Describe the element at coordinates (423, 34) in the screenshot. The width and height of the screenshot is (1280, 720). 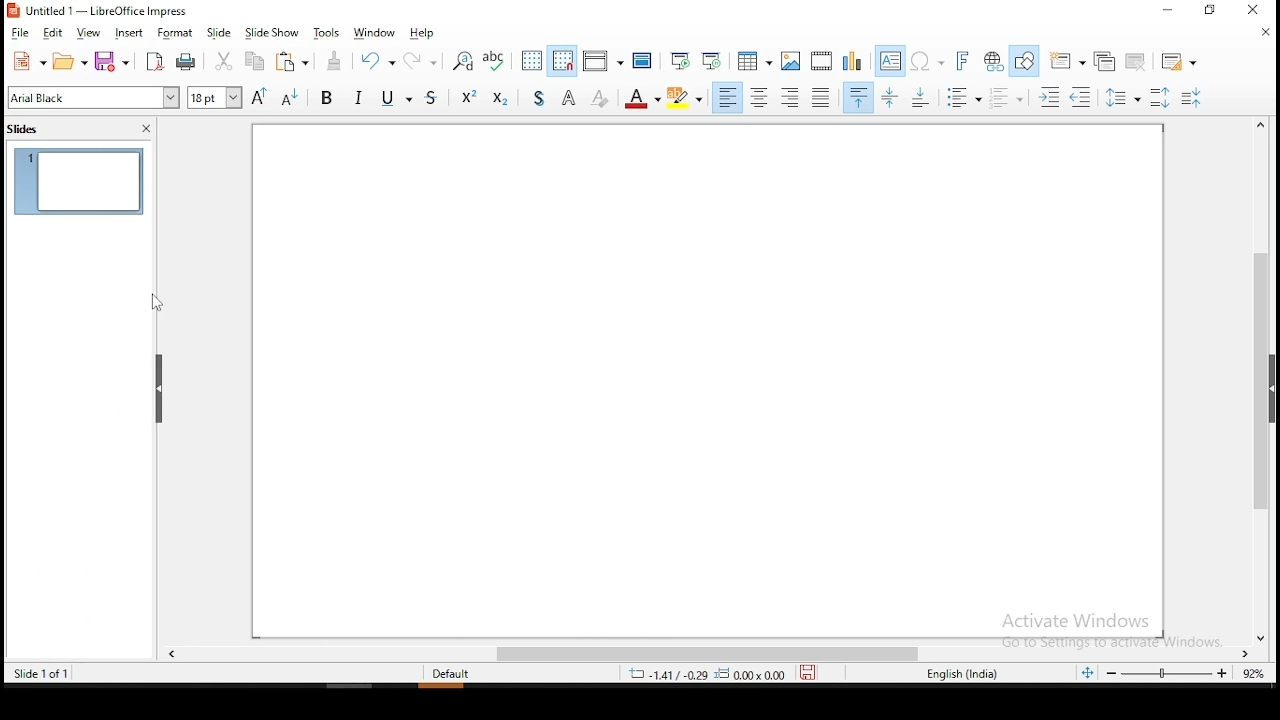
I see `help` at that location.